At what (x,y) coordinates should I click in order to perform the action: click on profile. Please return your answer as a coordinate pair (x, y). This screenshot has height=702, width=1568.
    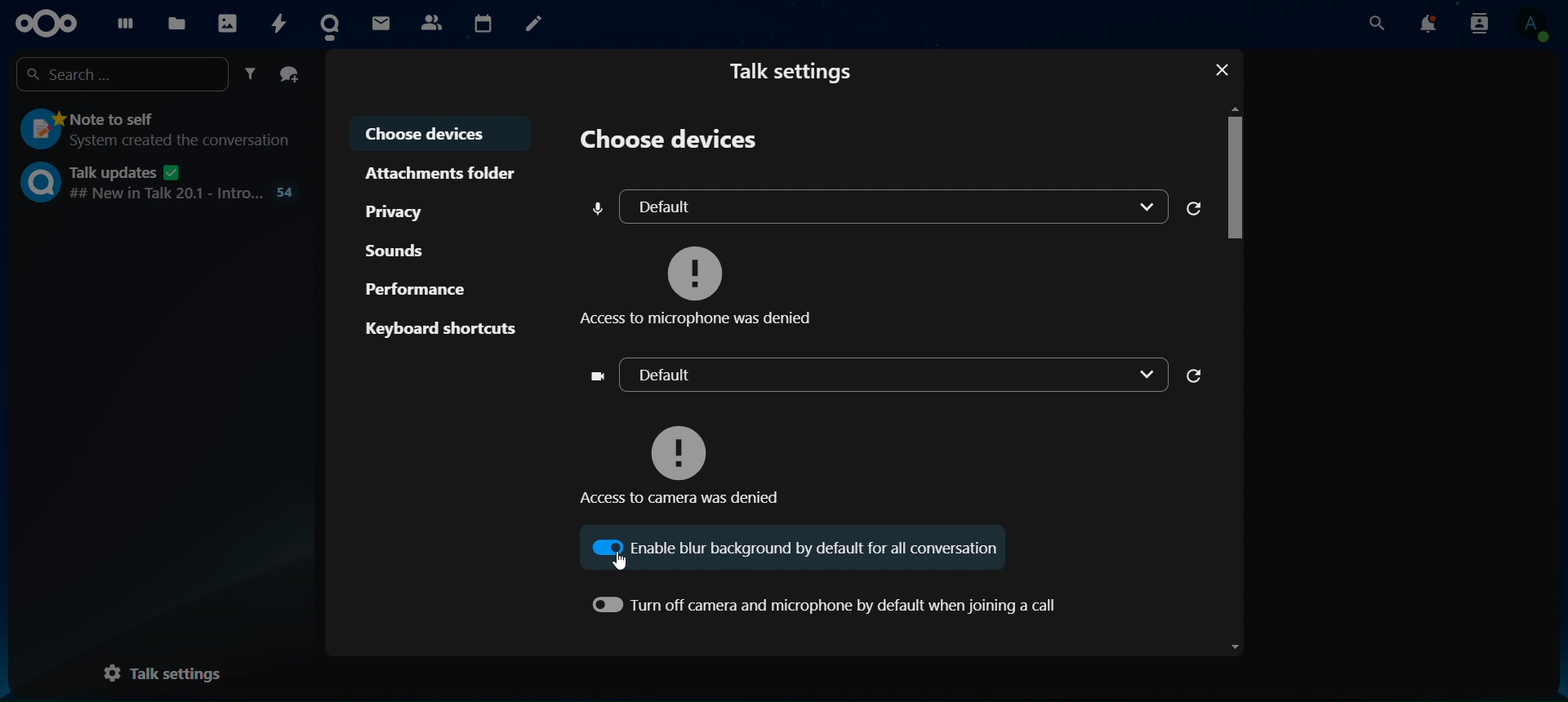
    Looking at the image, I should click on (1537, 26).